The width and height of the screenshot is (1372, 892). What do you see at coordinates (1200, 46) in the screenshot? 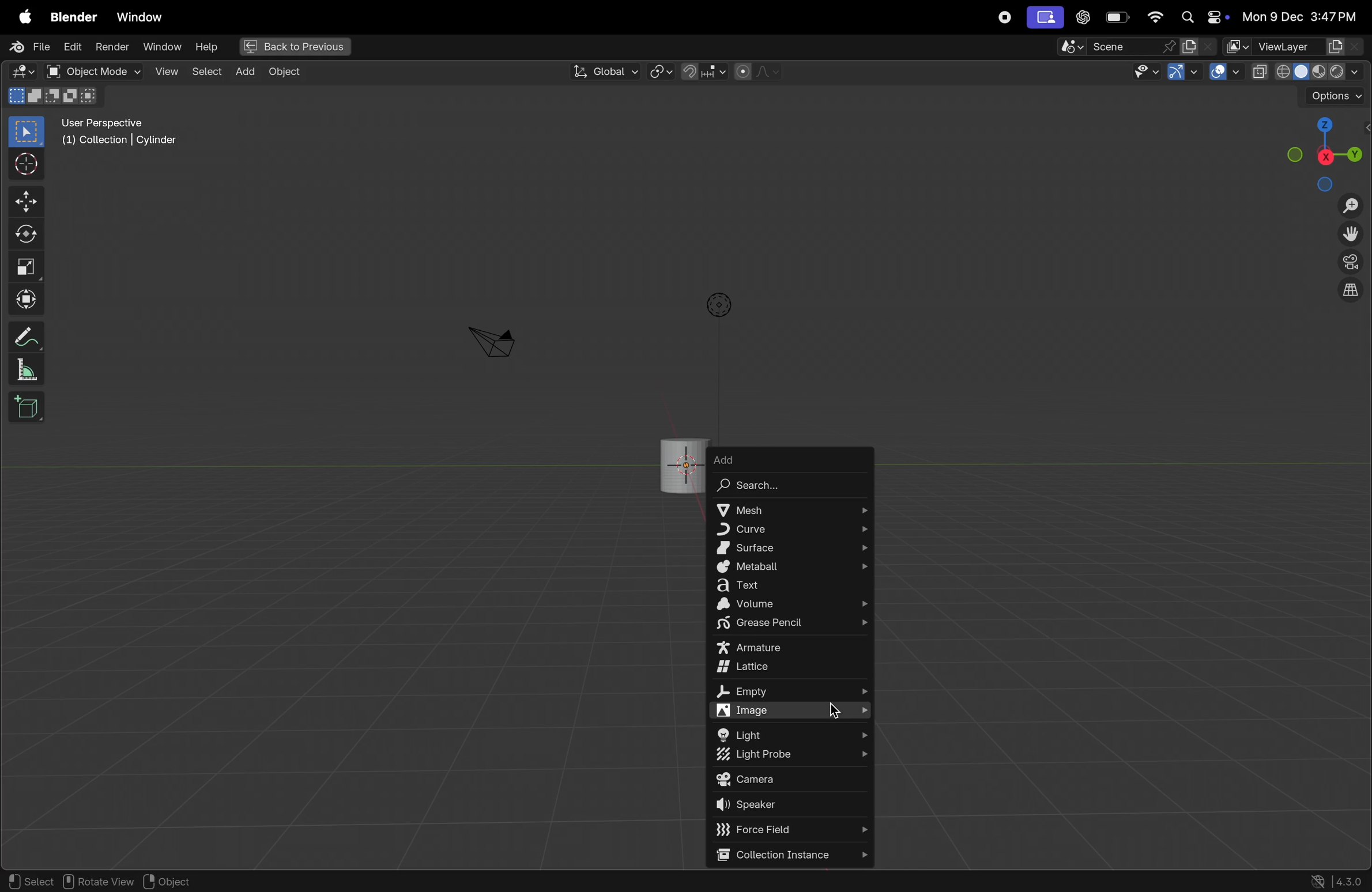
I see `active workspace` at bounding box center [1200, 46].